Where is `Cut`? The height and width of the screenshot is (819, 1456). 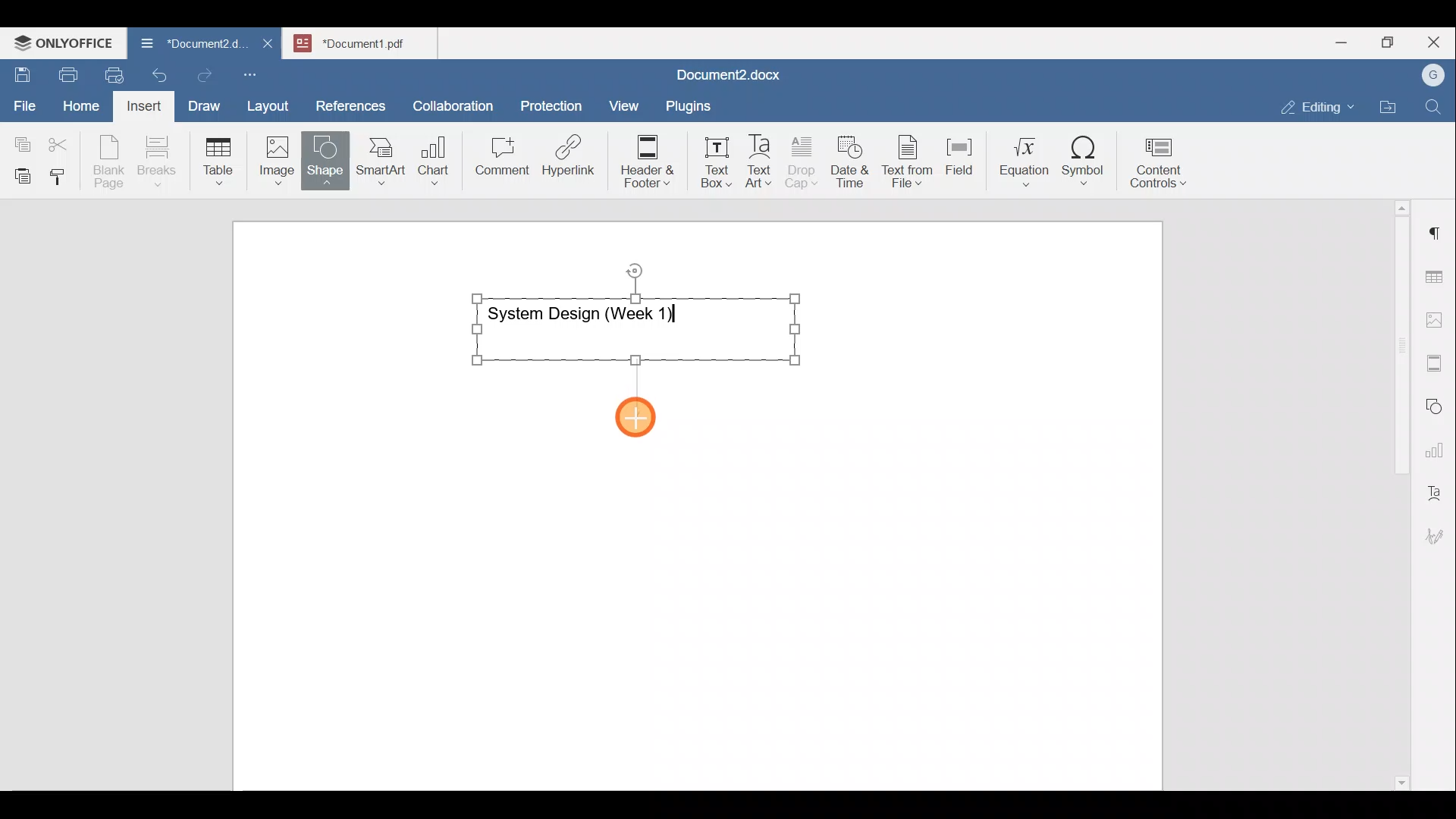
Cut is located at coordinates (64, 141).